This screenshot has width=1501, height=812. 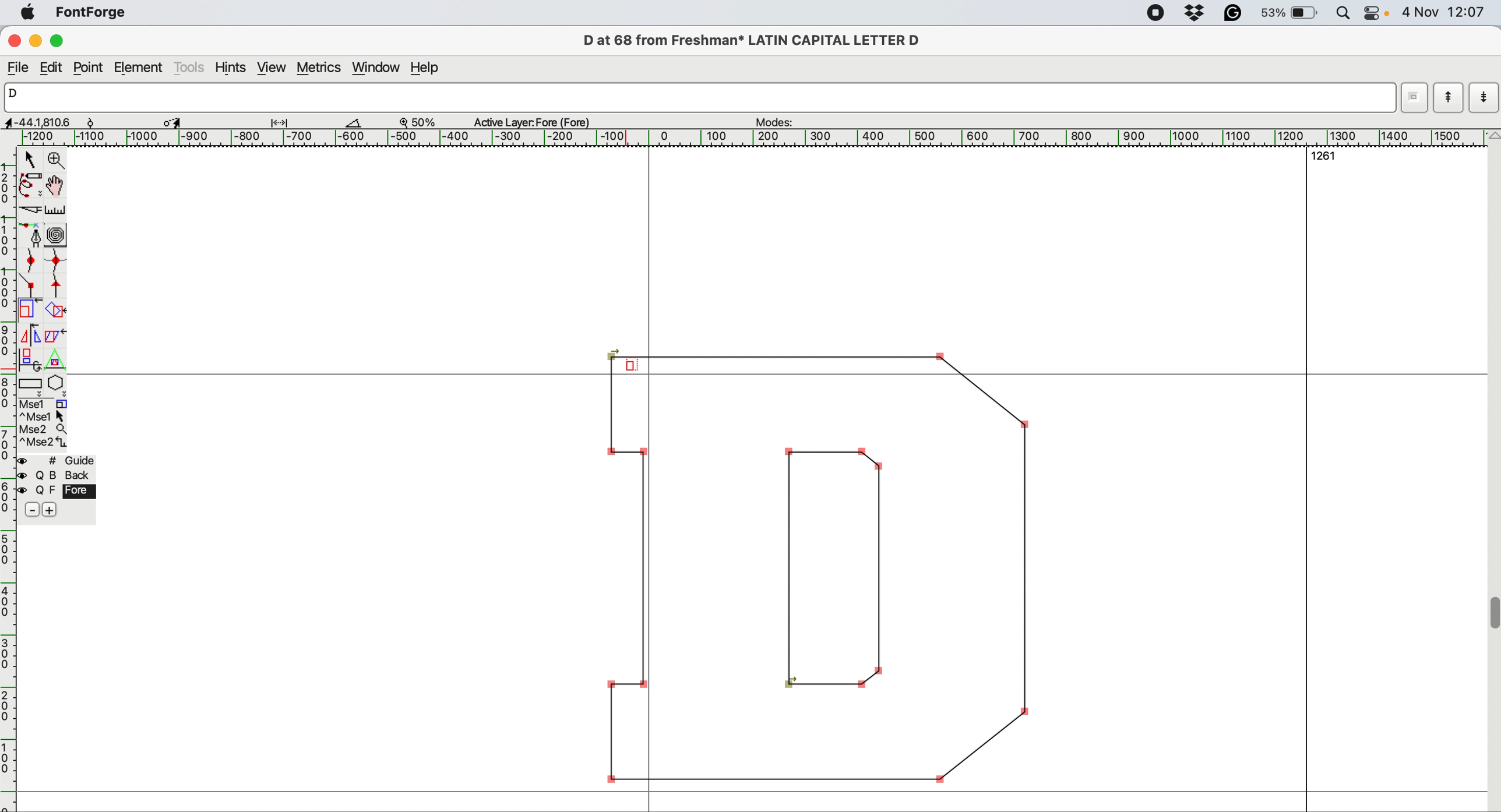 What do you see at coordinates (1492, 470) in the screenshot?
I see `vertical scroll bar` at bounding box center [1492, 470].